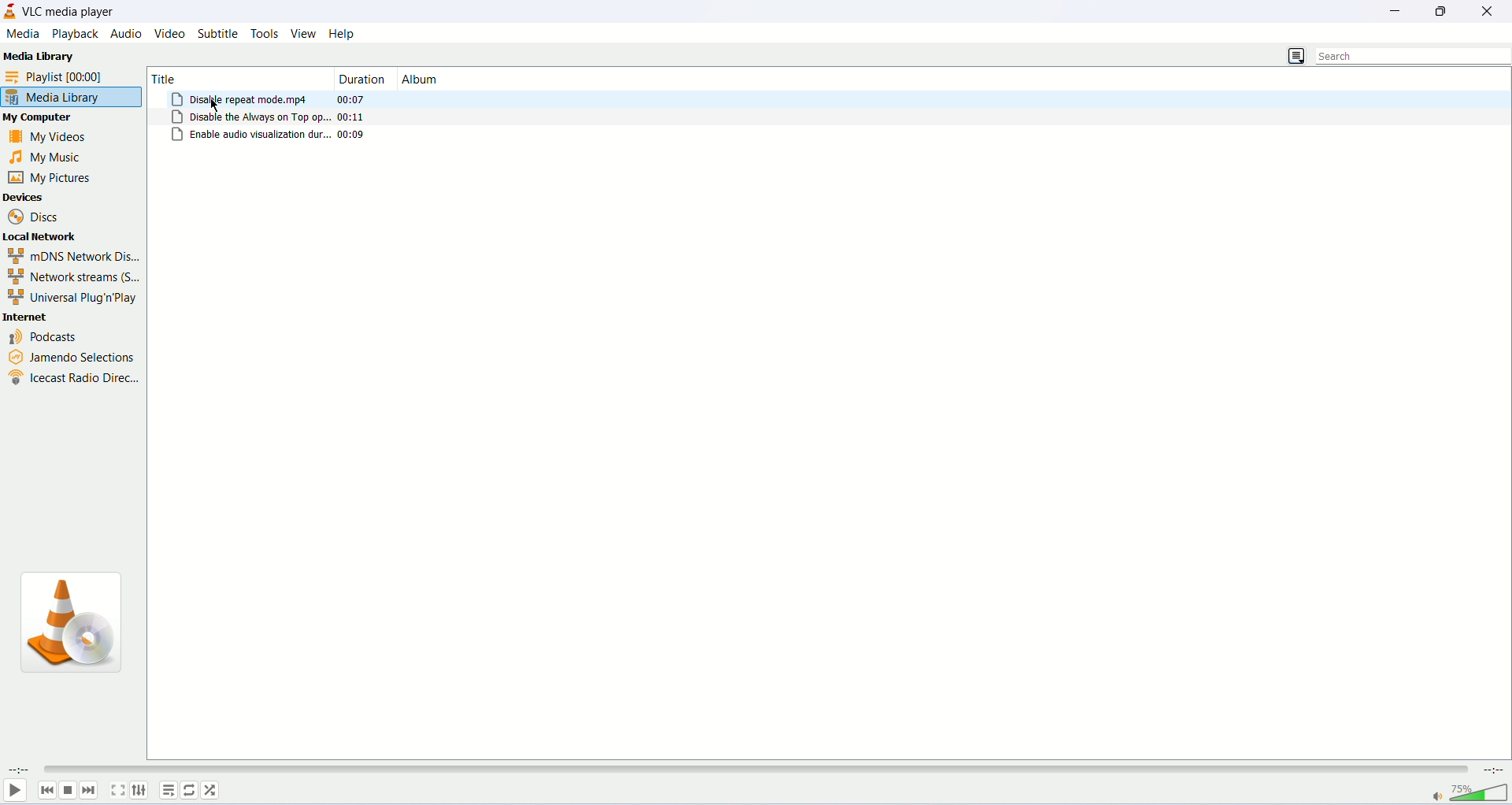 Image resolution: width=1512 pixels, height=805 pixels. Describe the element at coordinates (351, 98) in the screenshot. I see `00:07` at that location.